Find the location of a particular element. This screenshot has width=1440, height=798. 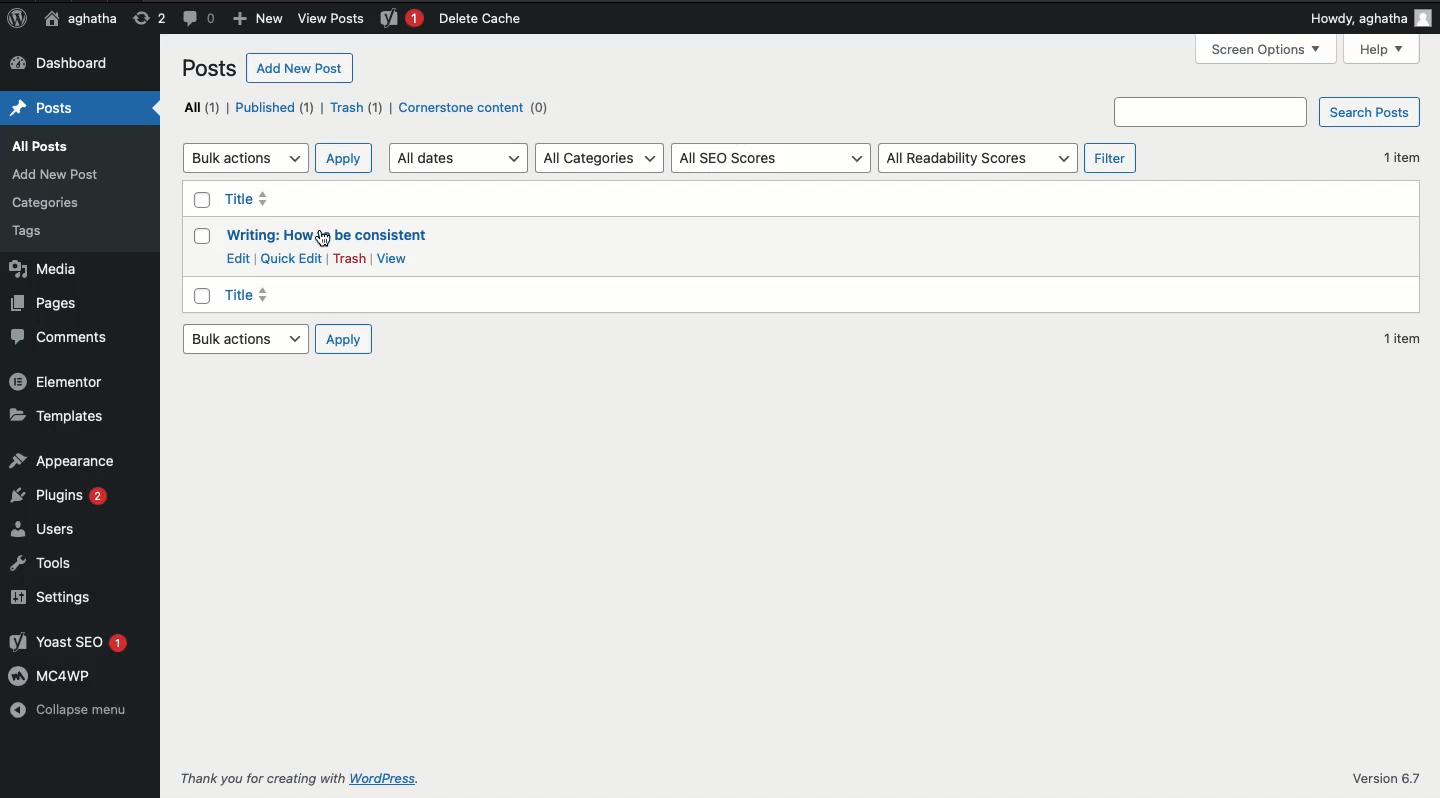

1 item is located at coordinates (1403, 158).